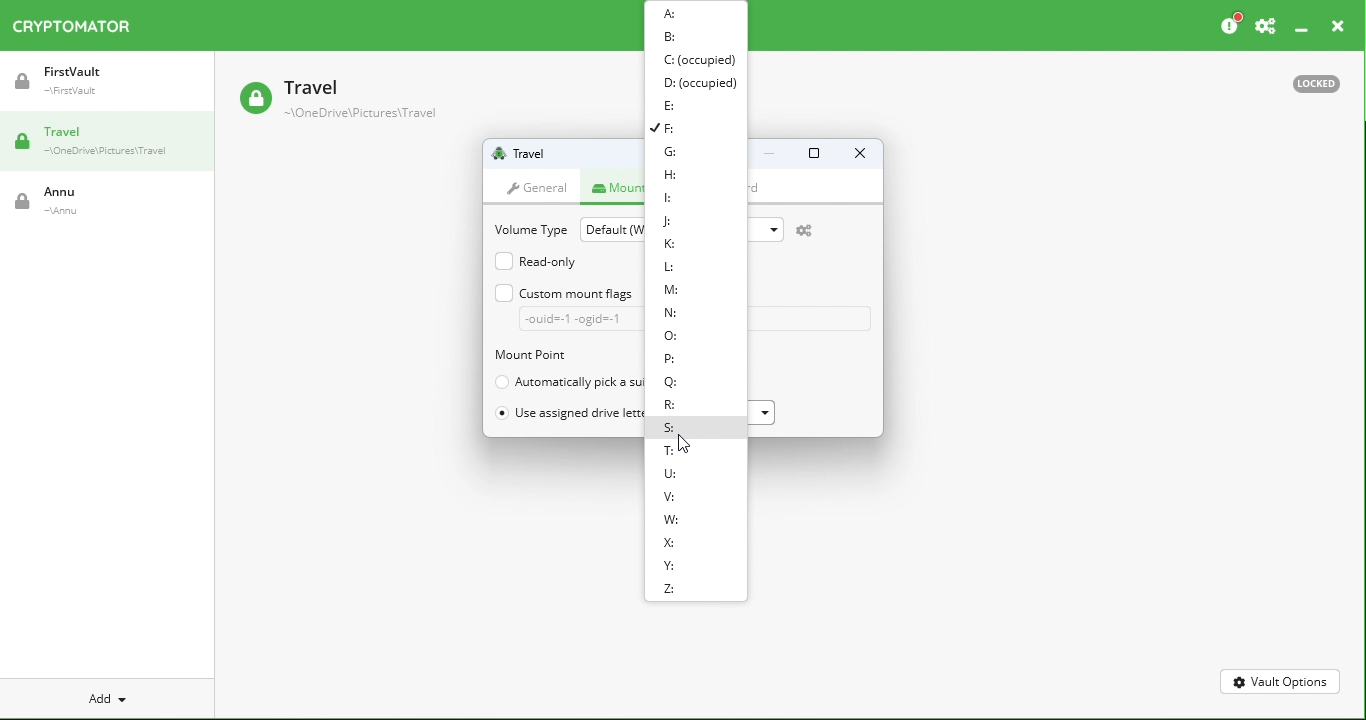 The width and height of the screenshot is (1366, 720). I want to click on Volume type, so click(528, 228).